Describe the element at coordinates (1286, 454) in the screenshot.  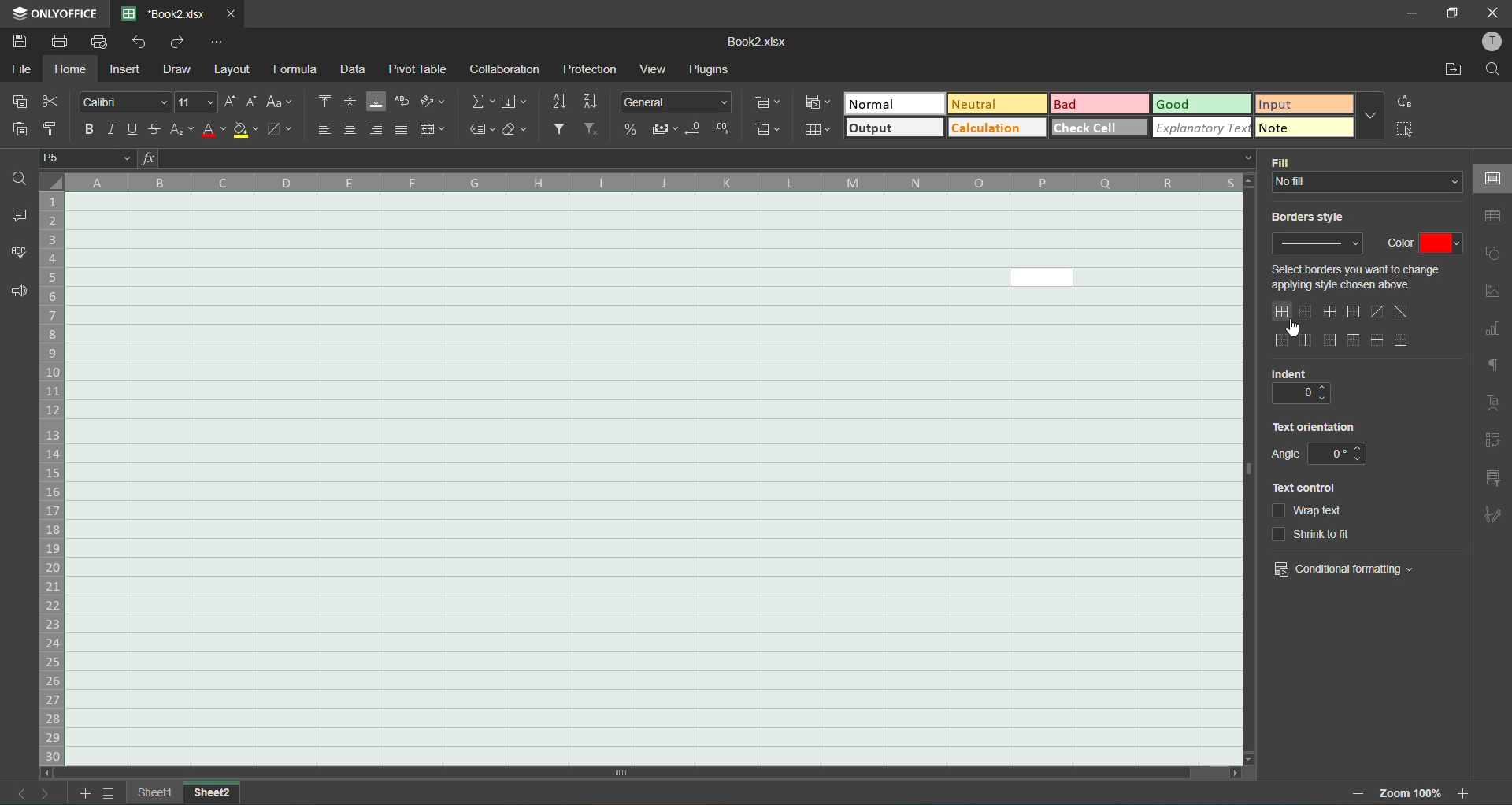
I see `Angle` at that location.